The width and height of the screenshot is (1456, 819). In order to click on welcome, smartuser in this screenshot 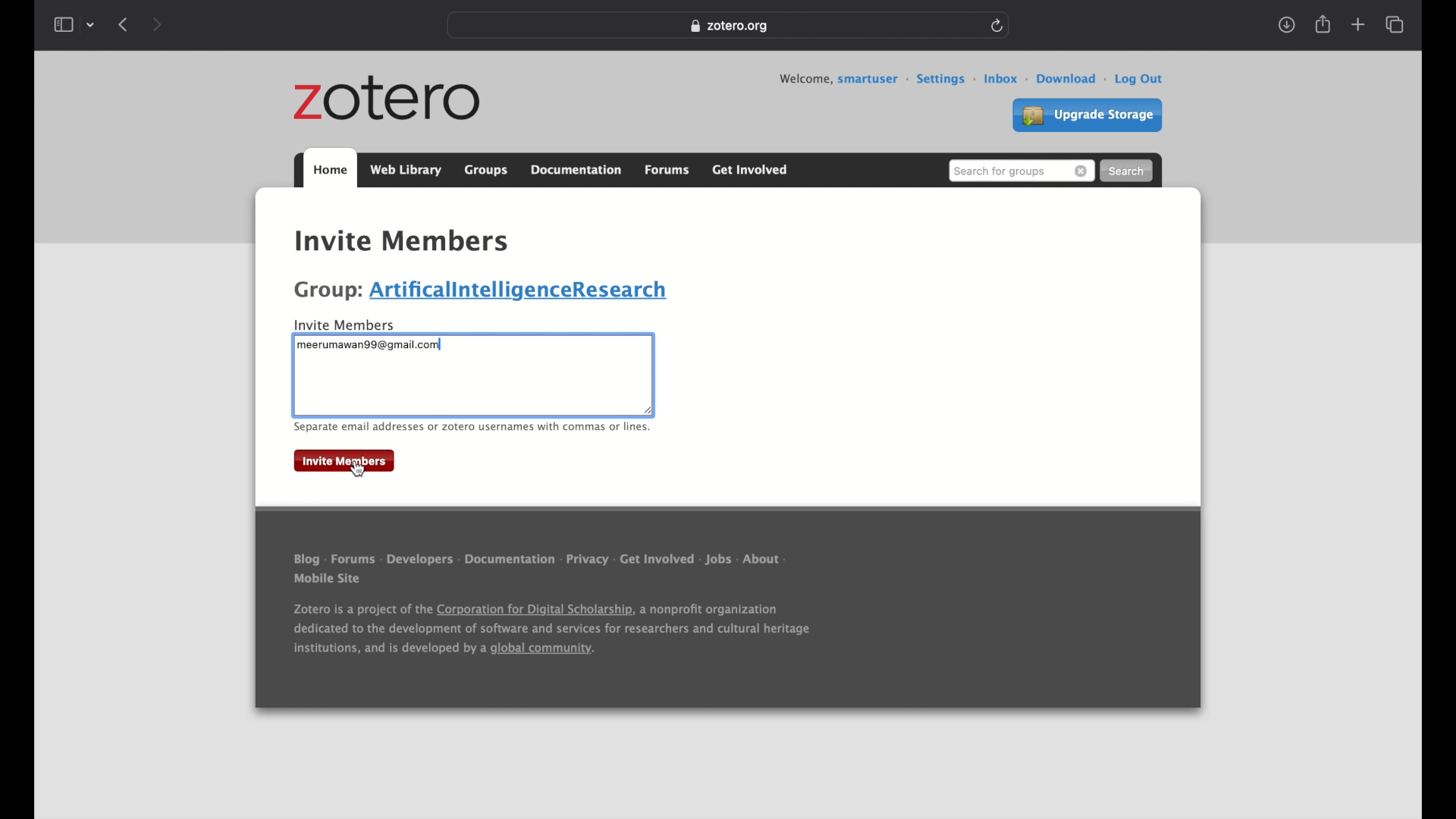, I will do `click(844, 80)`.